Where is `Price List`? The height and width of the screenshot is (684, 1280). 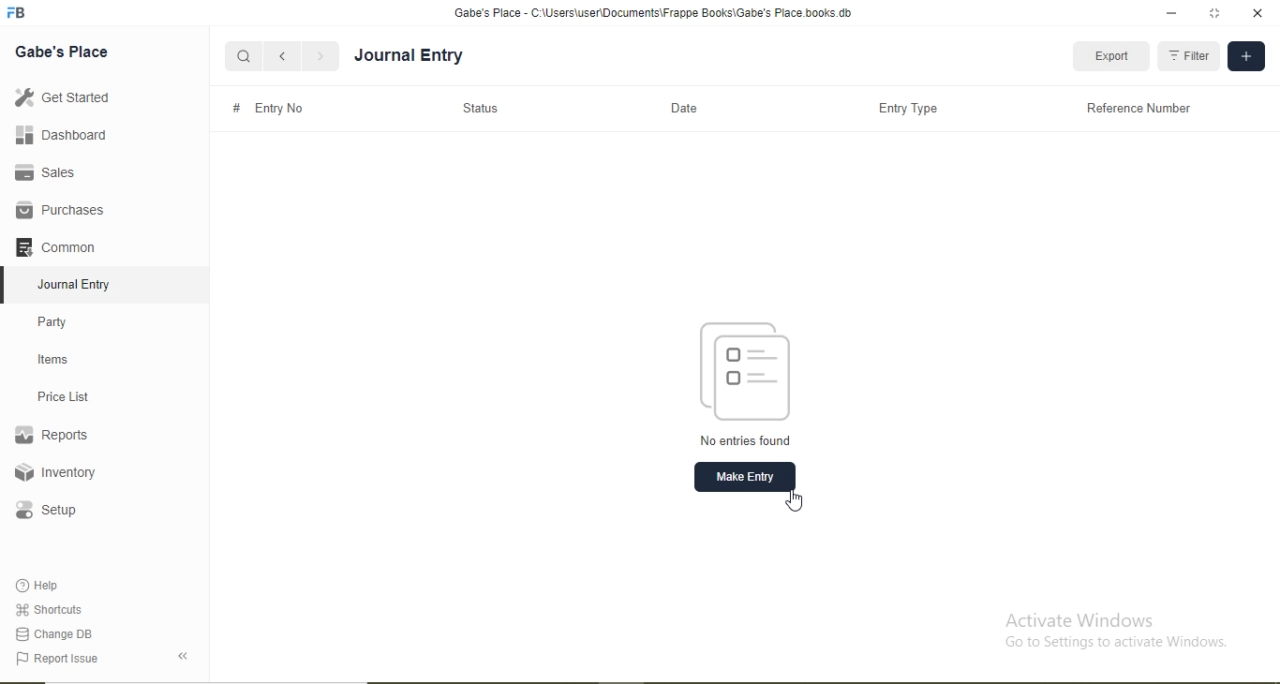
Price List is located at coordinates (62, 397).